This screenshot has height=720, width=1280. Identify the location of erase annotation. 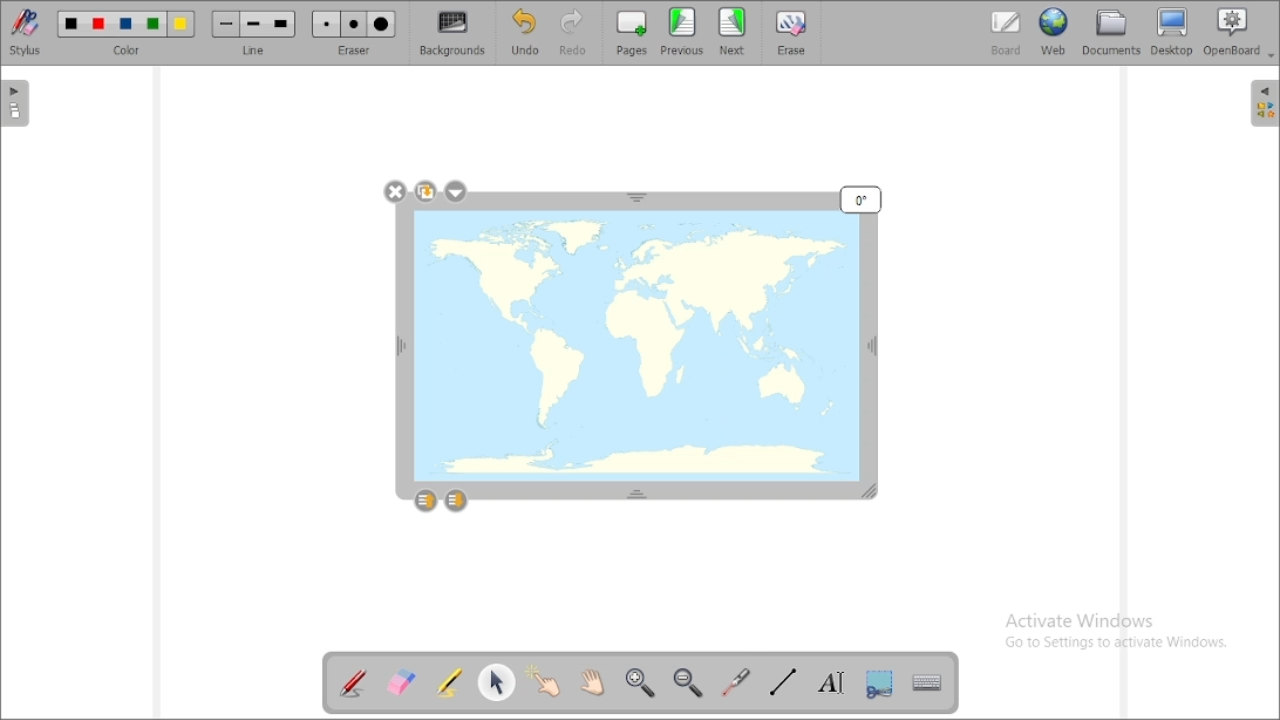
(400, 683).